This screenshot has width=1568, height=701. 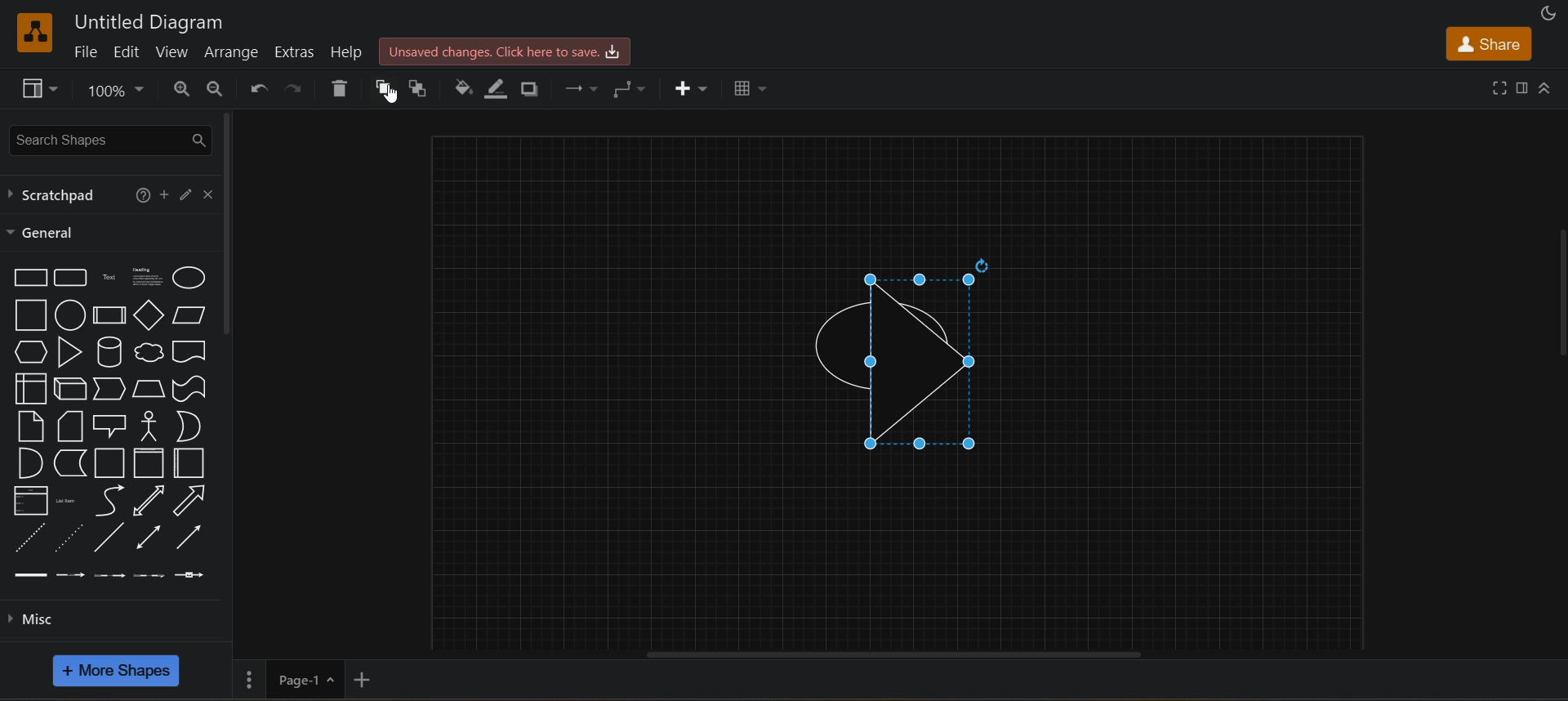 What do you see at coordinates (189, 277) in the screenshot?
I see `ellipse` at bounding box center [189, 277].